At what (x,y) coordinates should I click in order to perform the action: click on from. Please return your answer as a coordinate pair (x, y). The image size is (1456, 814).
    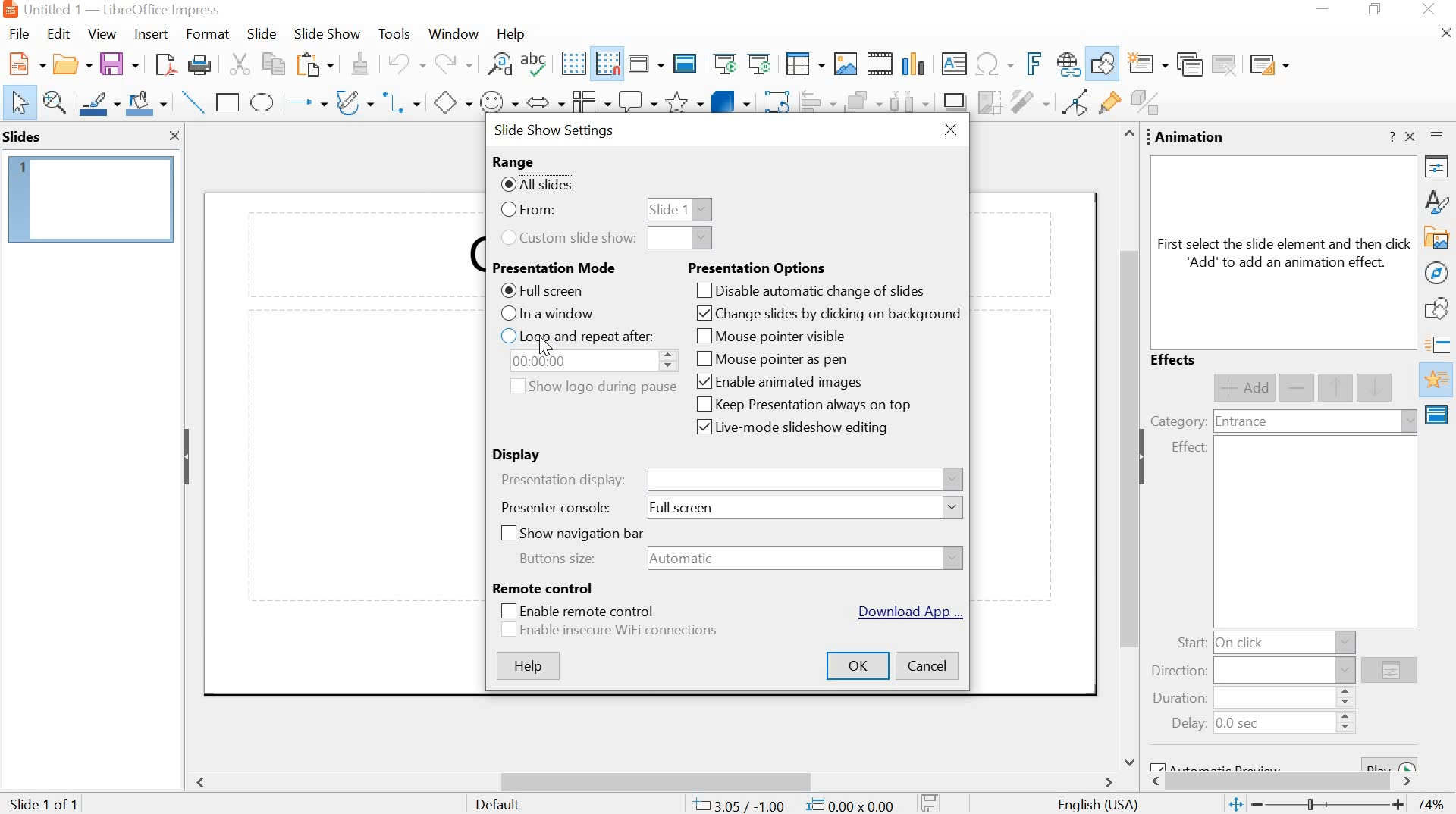
    Looking at the image, I should click on (527, 211).